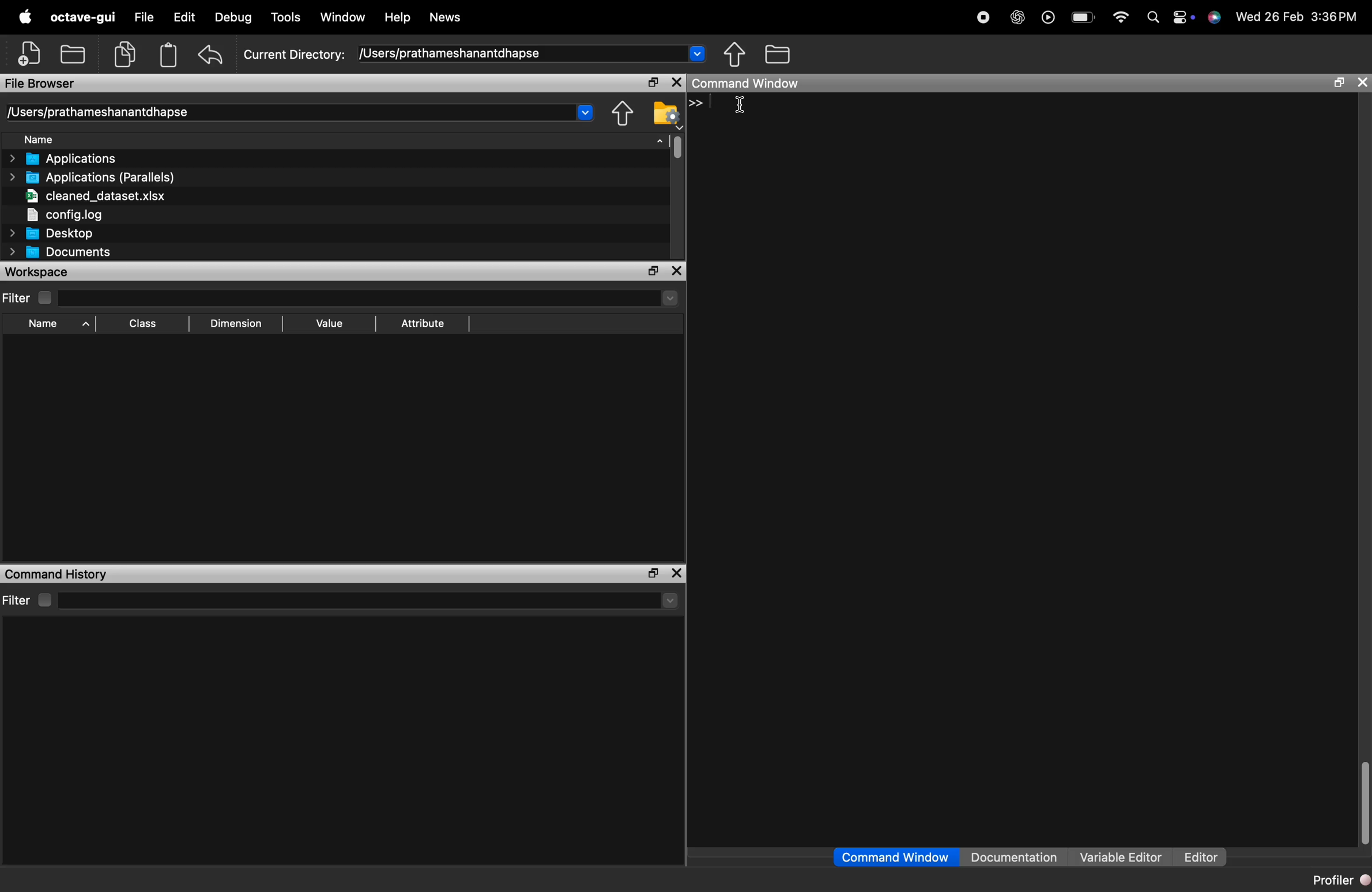 The image size is (1372, 892). What do you see at coordinates (73, 54) in the screenshot?
I see `open an existing file in an editor` at bounding box center [73, 54].